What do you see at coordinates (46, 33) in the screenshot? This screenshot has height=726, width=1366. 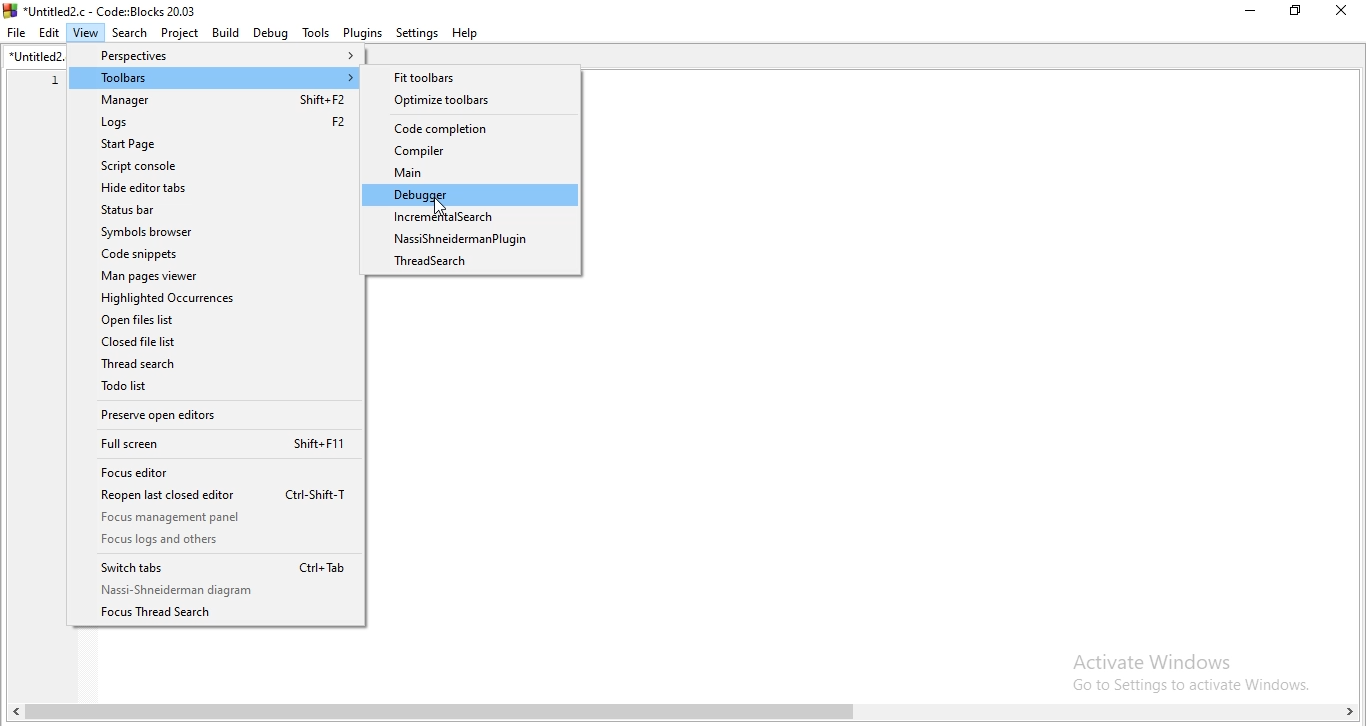 I see `Edit ` at bounding box center [46, 33].